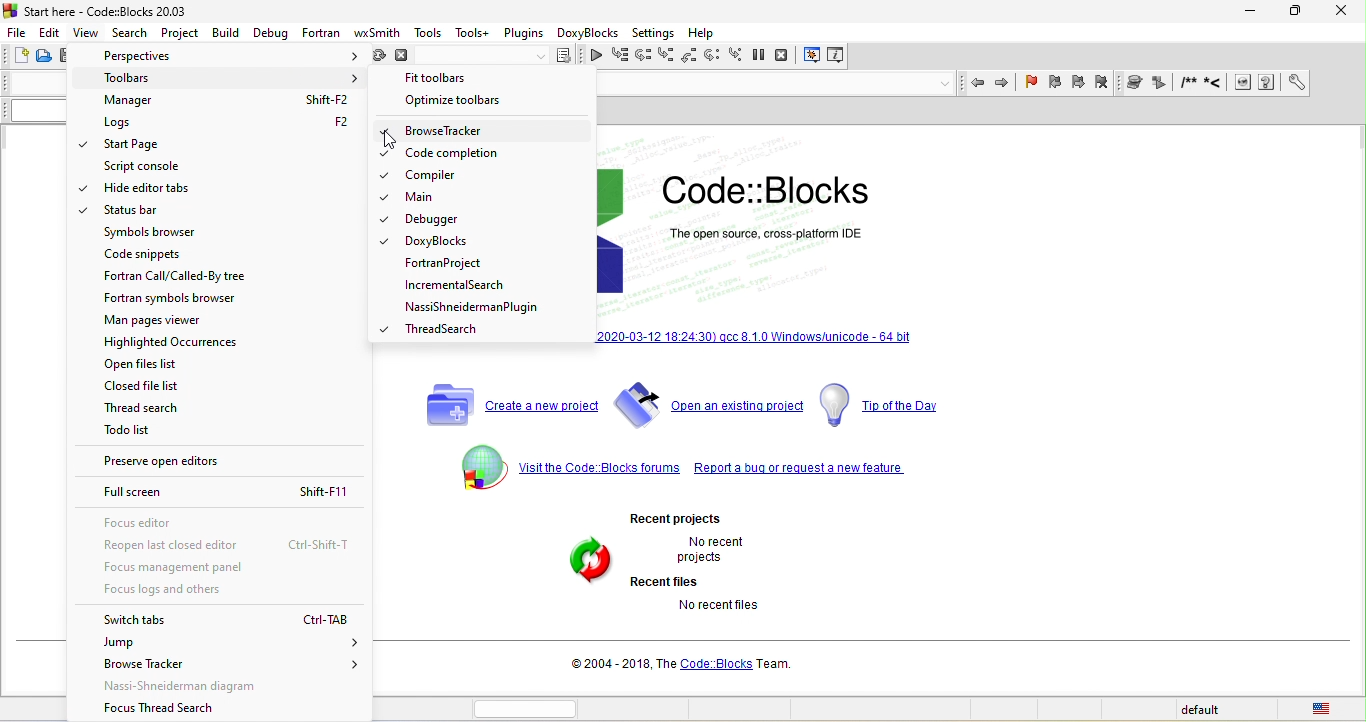  I want to click on no recent projects, so click(706, 551).